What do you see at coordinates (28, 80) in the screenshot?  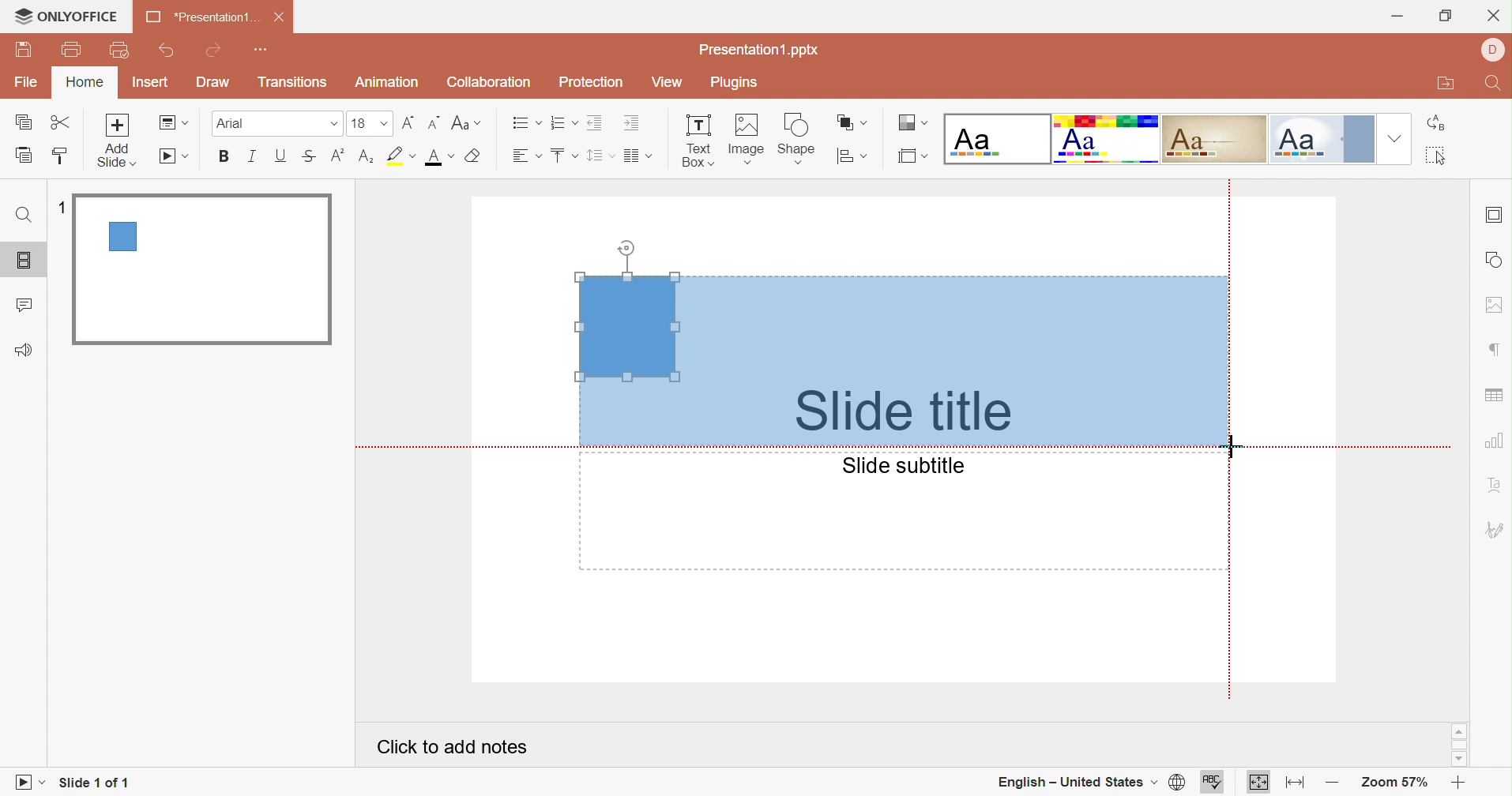 I see `File` at bounding box center [28, 80].